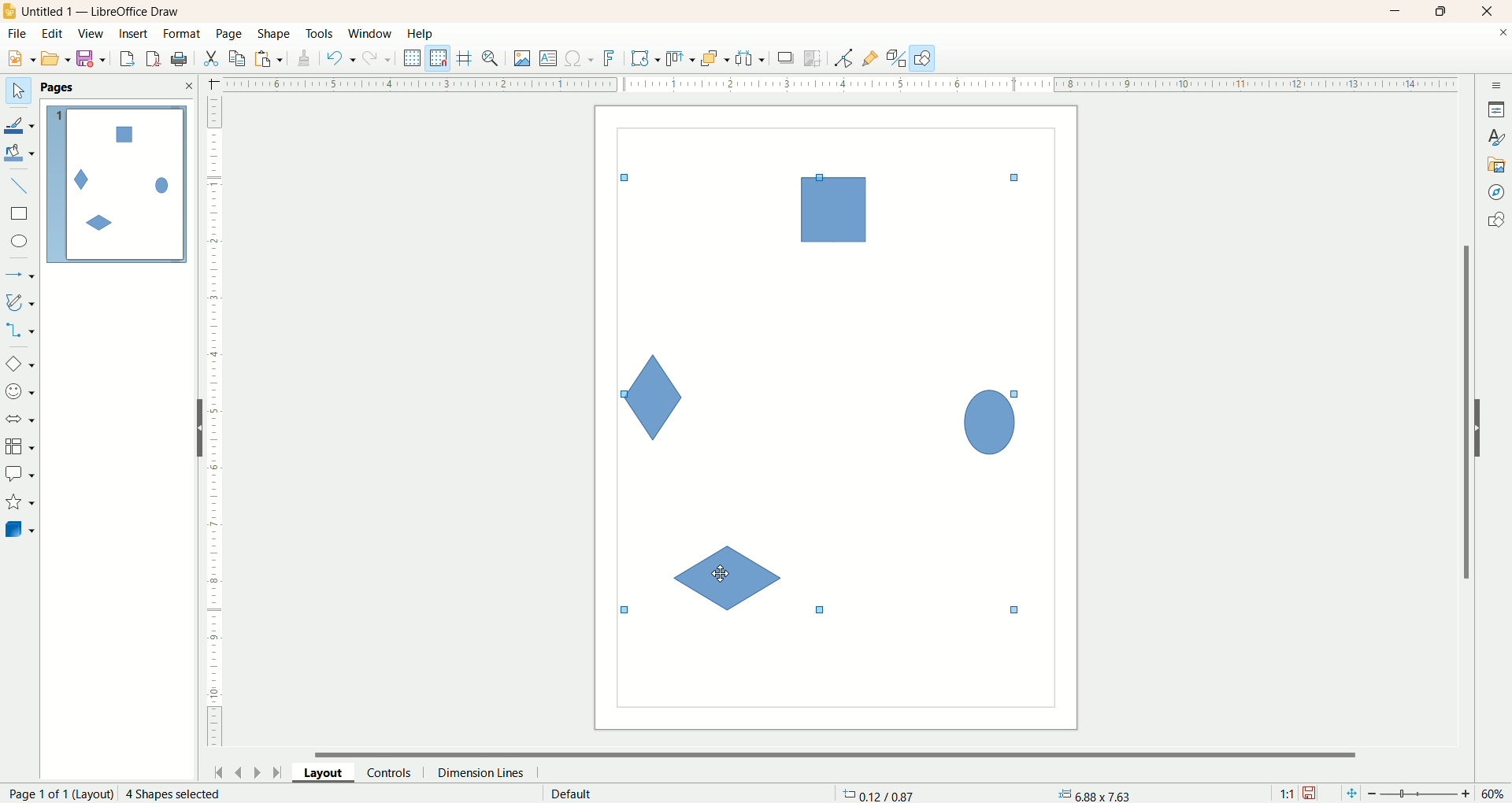 This screenshot has width=1512, height=803. I want to click on print, so click(155, 58).